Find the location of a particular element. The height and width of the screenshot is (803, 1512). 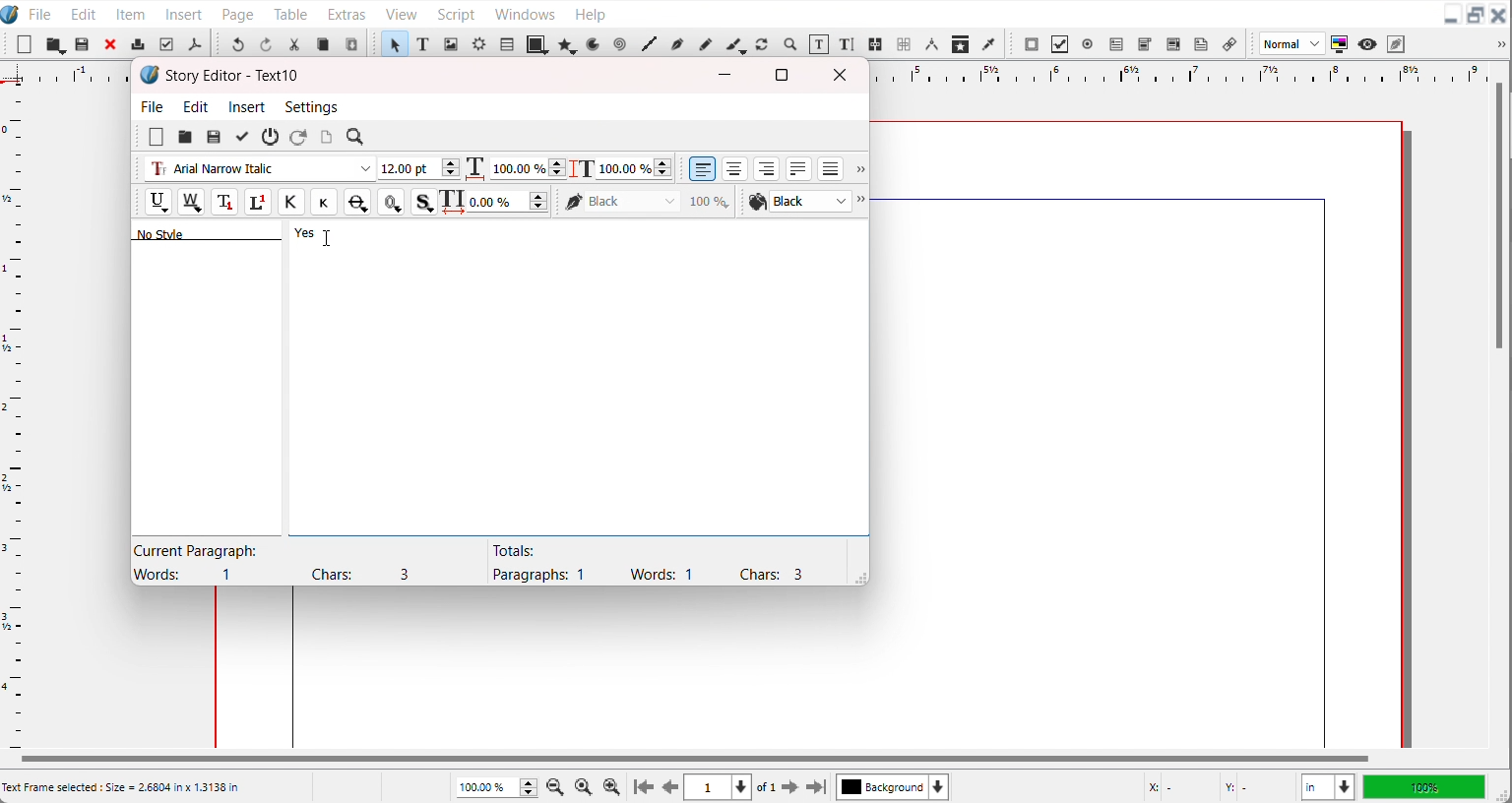

Save as PDF is located at coordinates (194, 44).